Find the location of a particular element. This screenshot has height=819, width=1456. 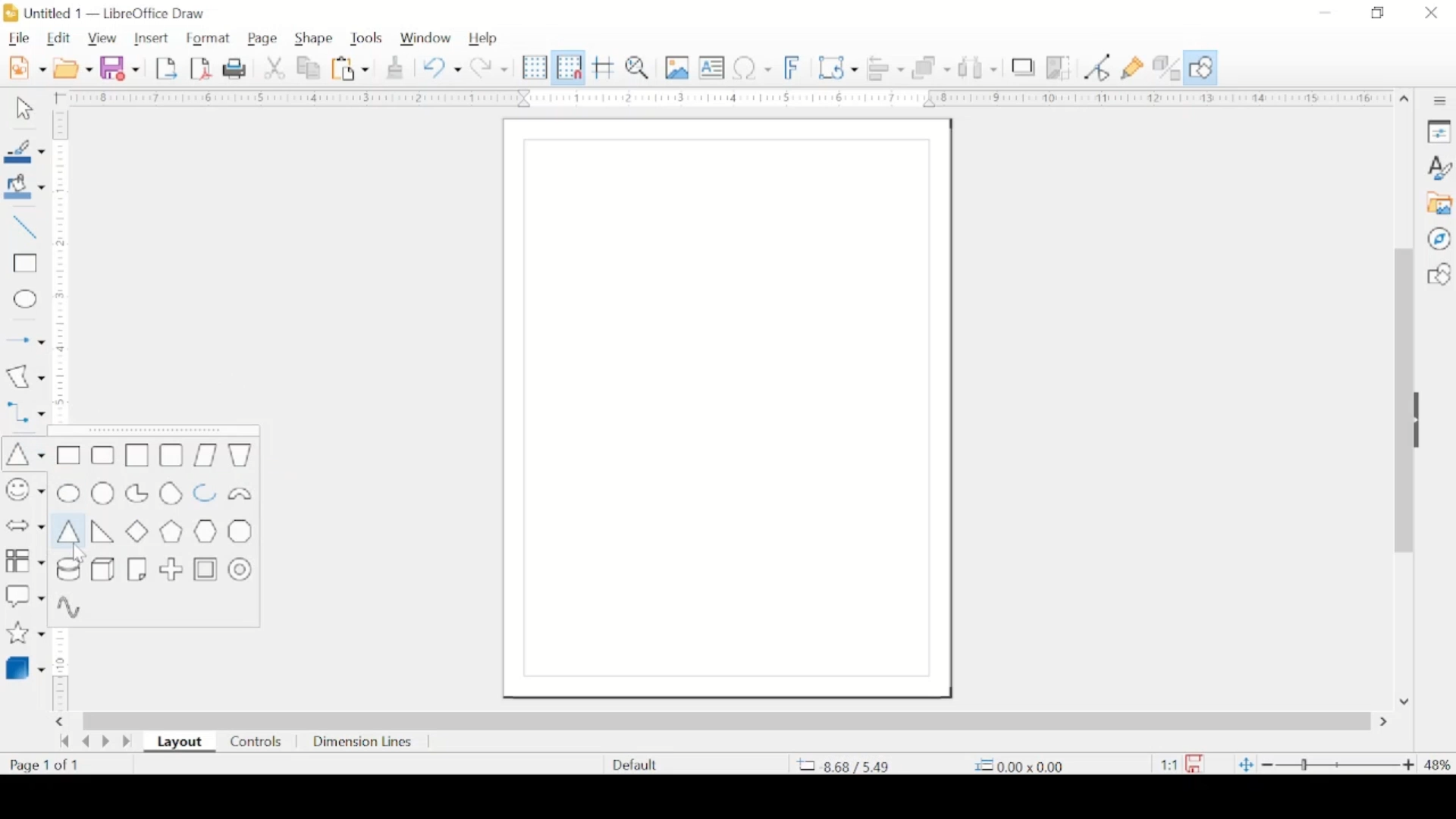

cylinder is located at coordinates (67, 568).